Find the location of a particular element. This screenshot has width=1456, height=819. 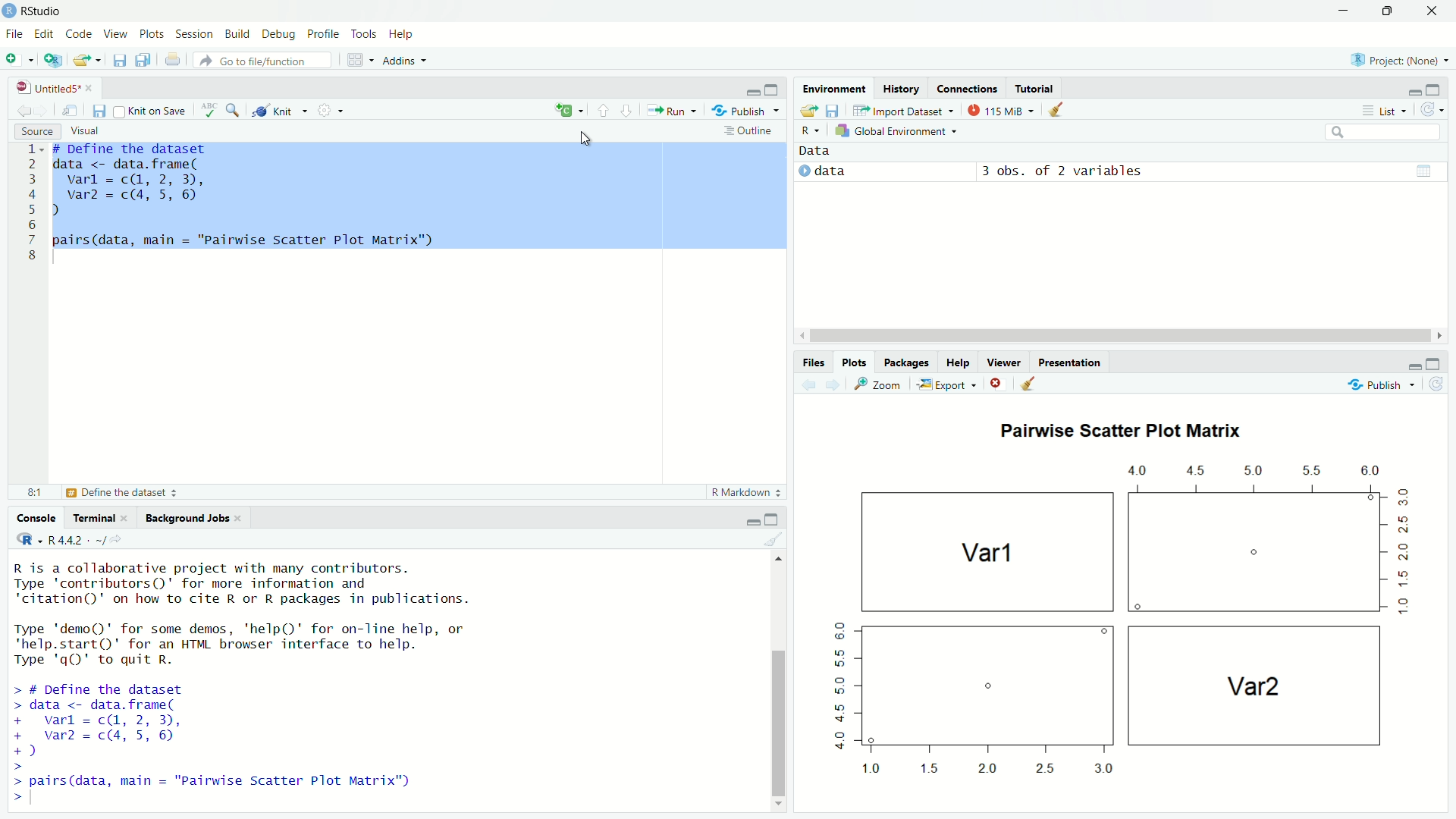

Maximize is located at coordinates (772, 89).